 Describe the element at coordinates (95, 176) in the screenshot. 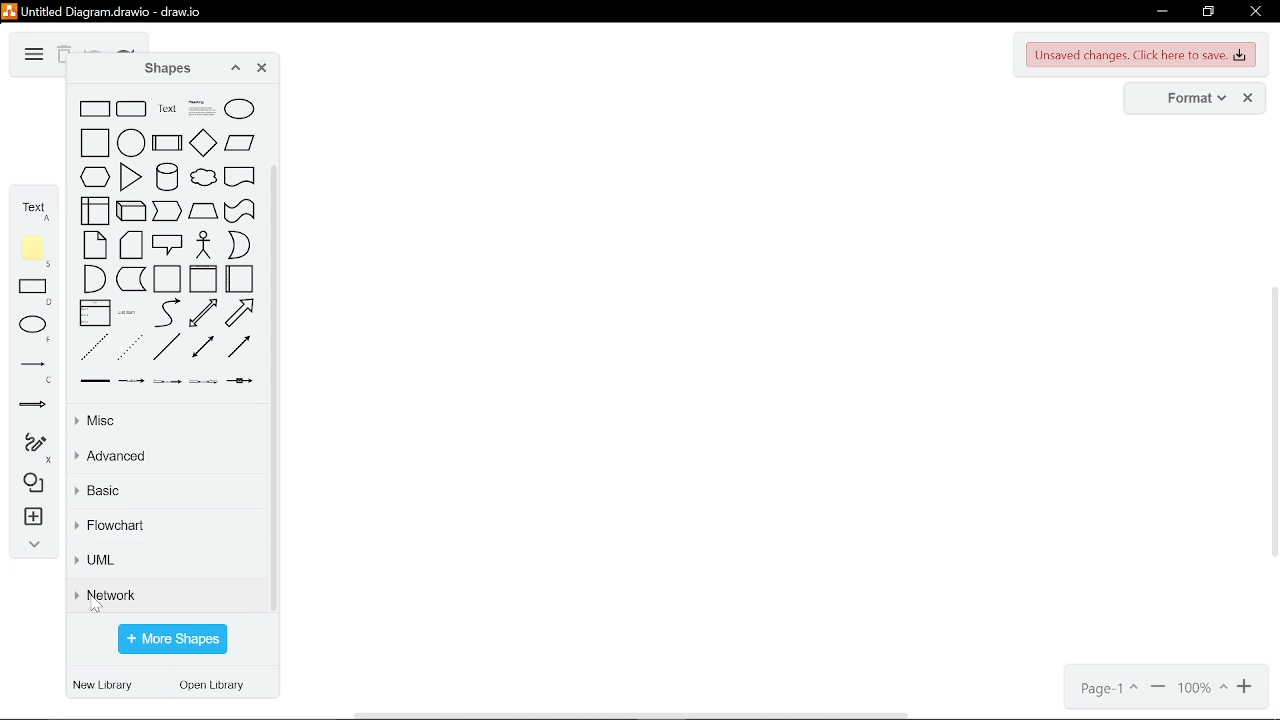

I see `hexagon` at that location.